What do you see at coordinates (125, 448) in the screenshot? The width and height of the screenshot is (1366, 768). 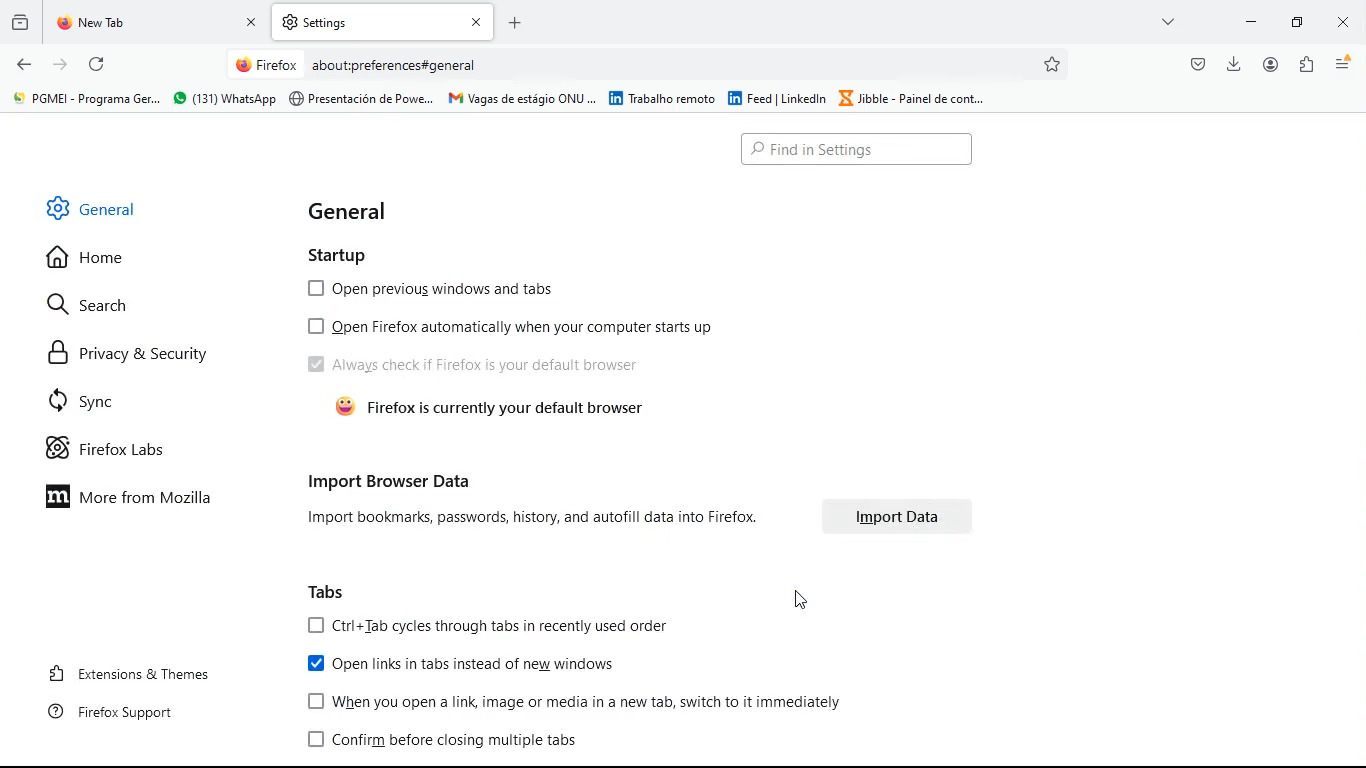 I see `firefox labs` at bounding box center [125, 448].